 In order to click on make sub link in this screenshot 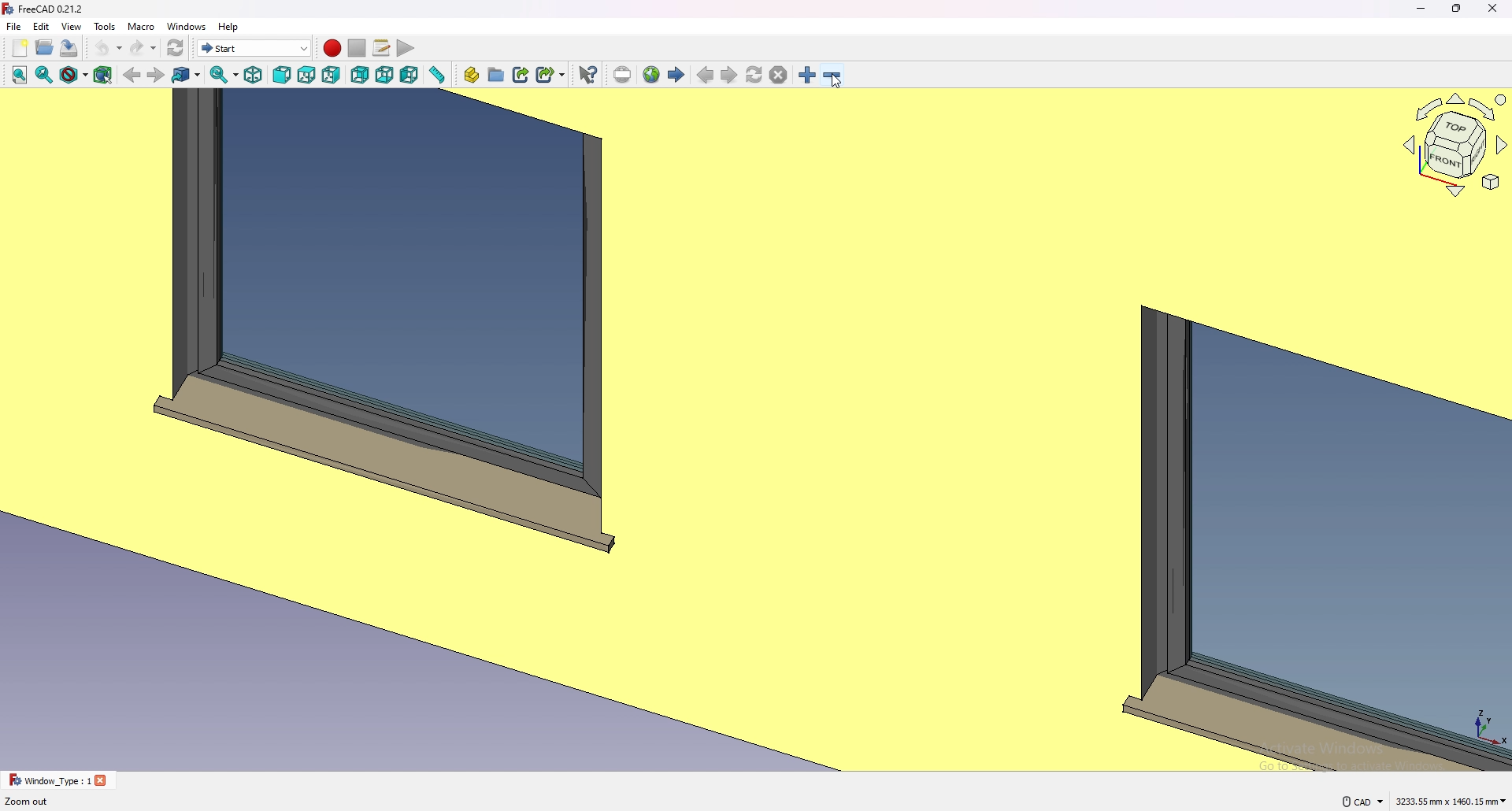, I will do `click(551, 75)`.